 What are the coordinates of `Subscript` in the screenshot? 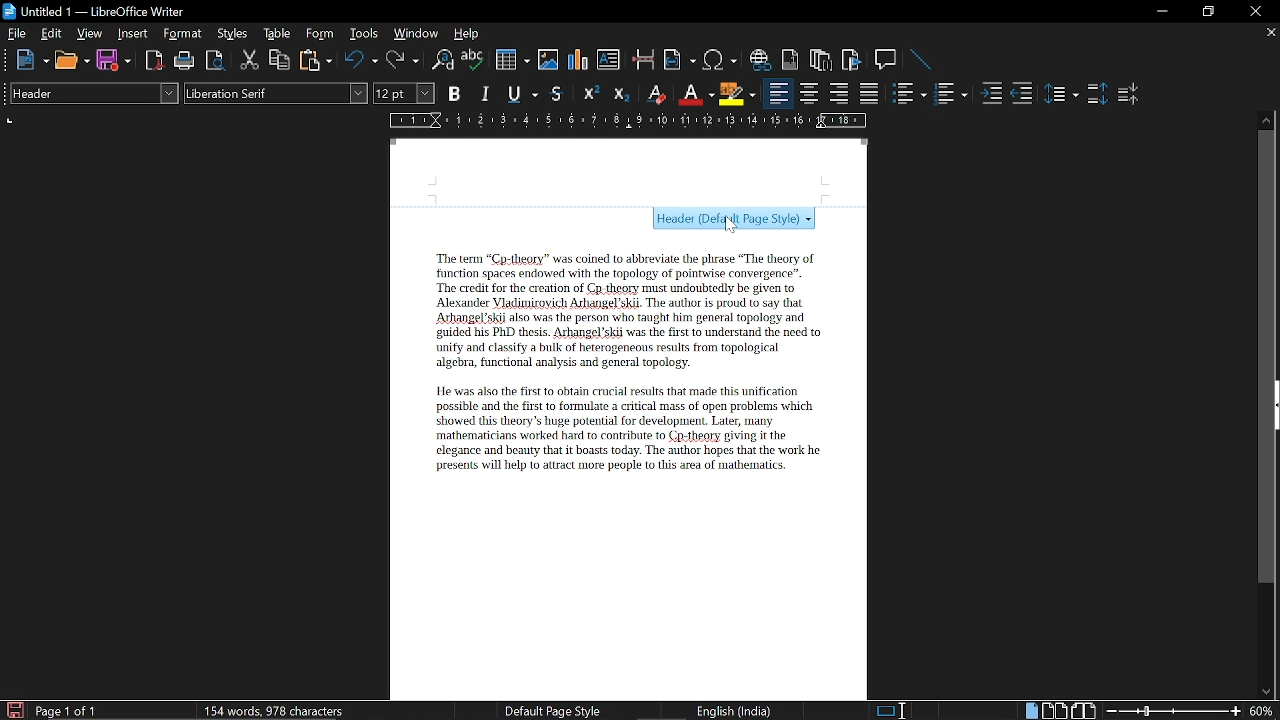 It's located at (620, 94).